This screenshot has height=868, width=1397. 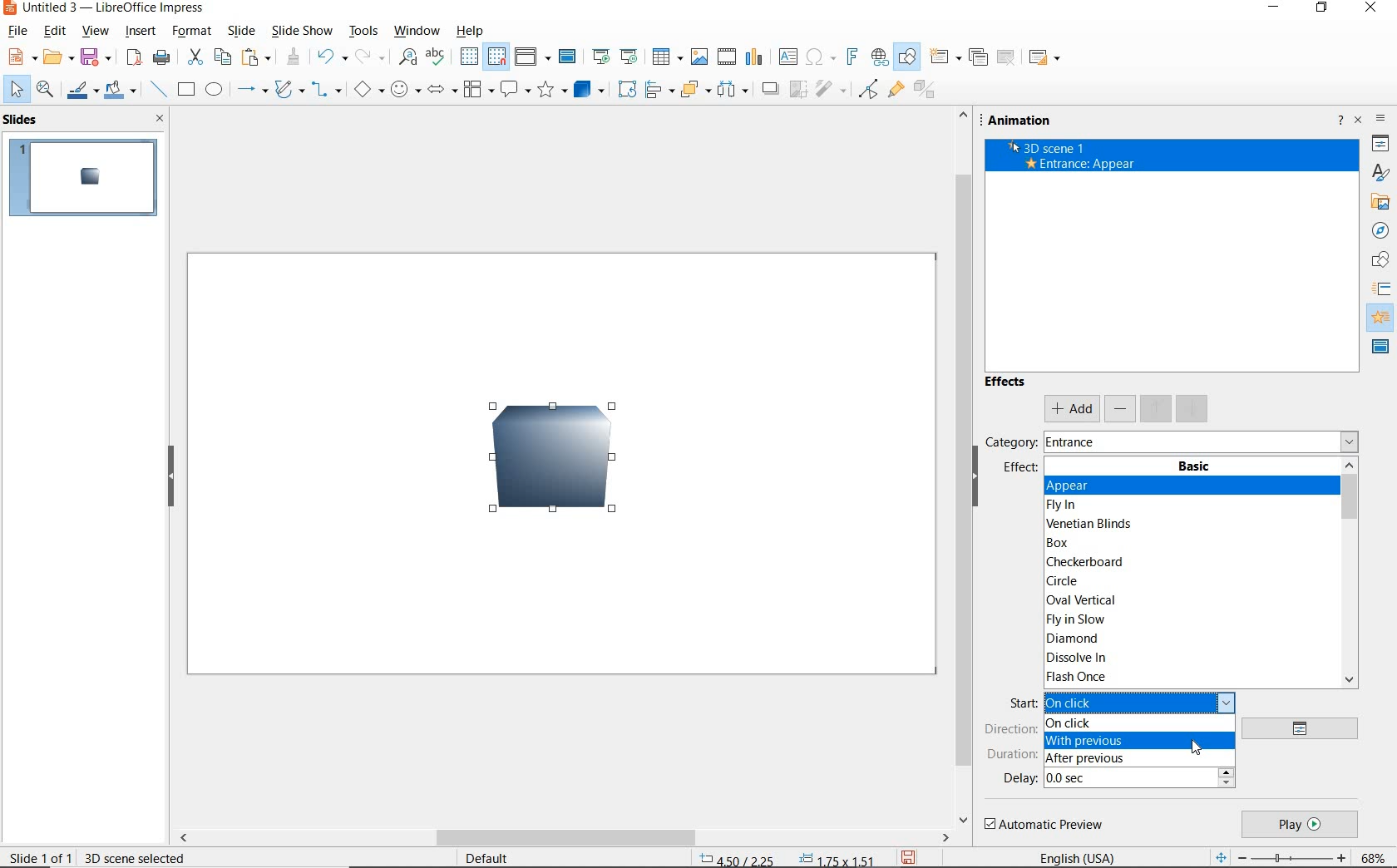 I want to click on OVAL VERTICAL, so click(x=1080, y=599).